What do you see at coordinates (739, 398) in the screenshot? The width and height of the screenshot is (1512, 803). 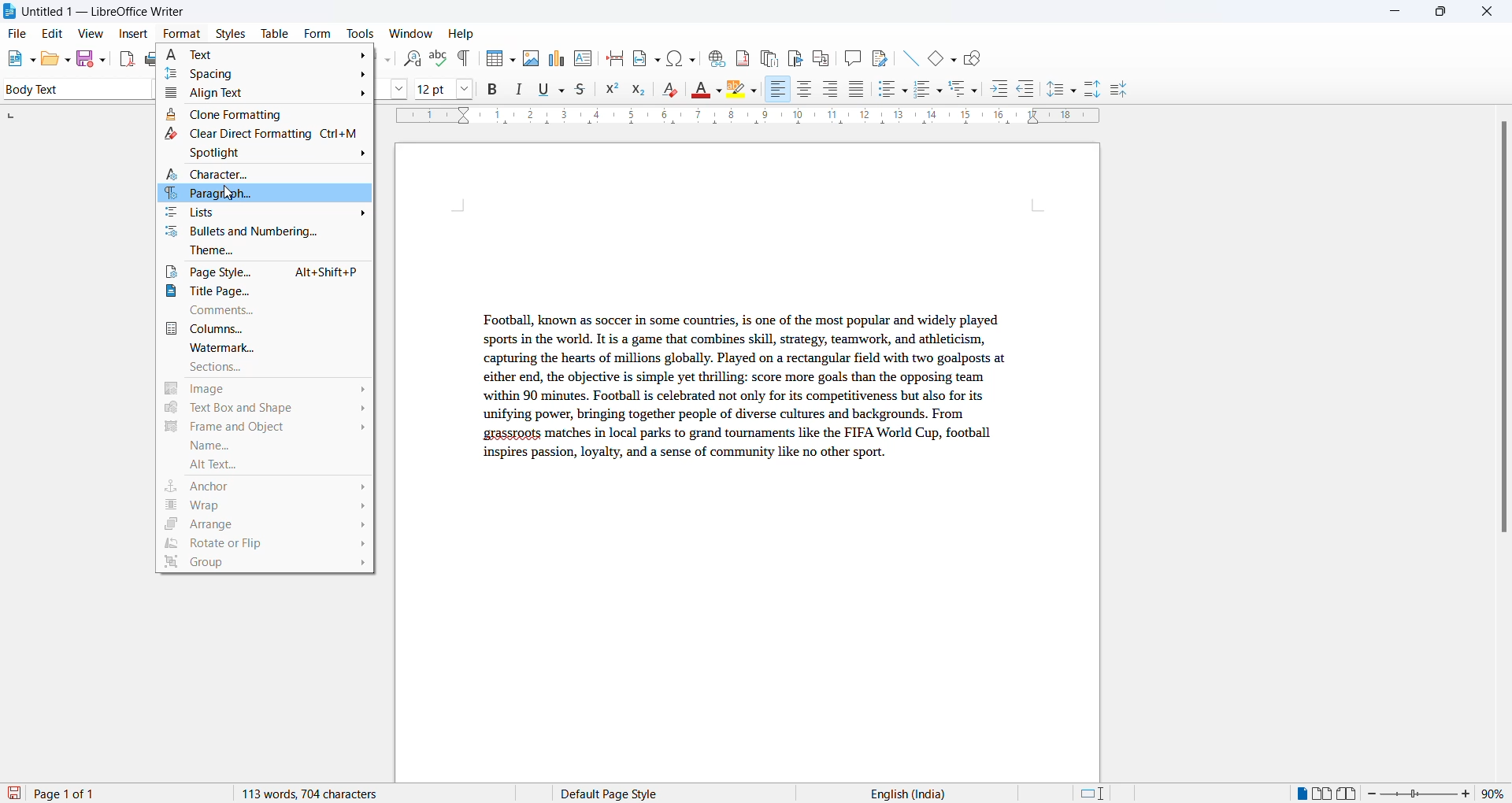 I see `paragraph` at bounding box center [739, 398].